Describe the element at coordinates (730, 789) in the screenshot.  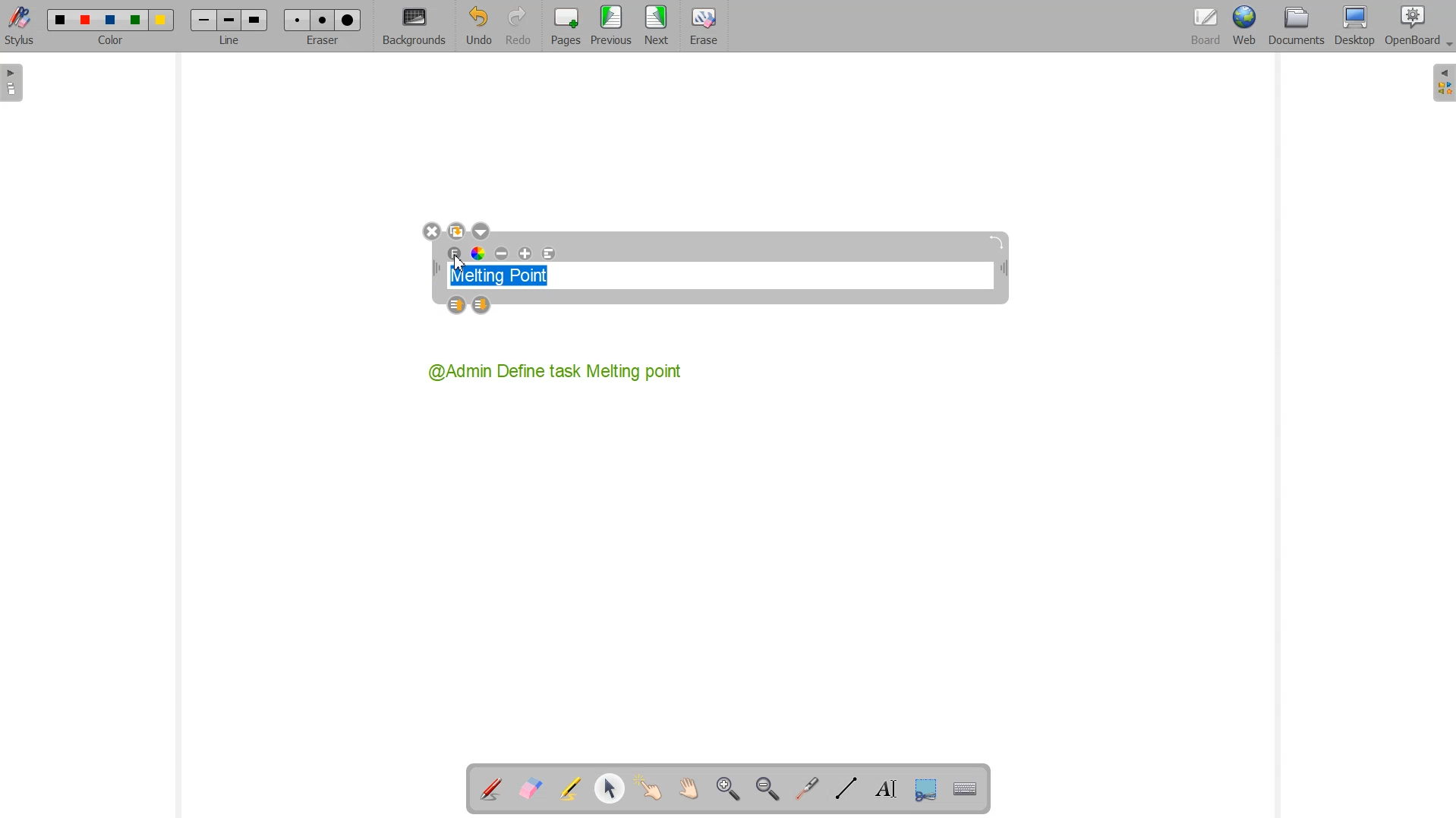
I see `Zoom In` at that location.